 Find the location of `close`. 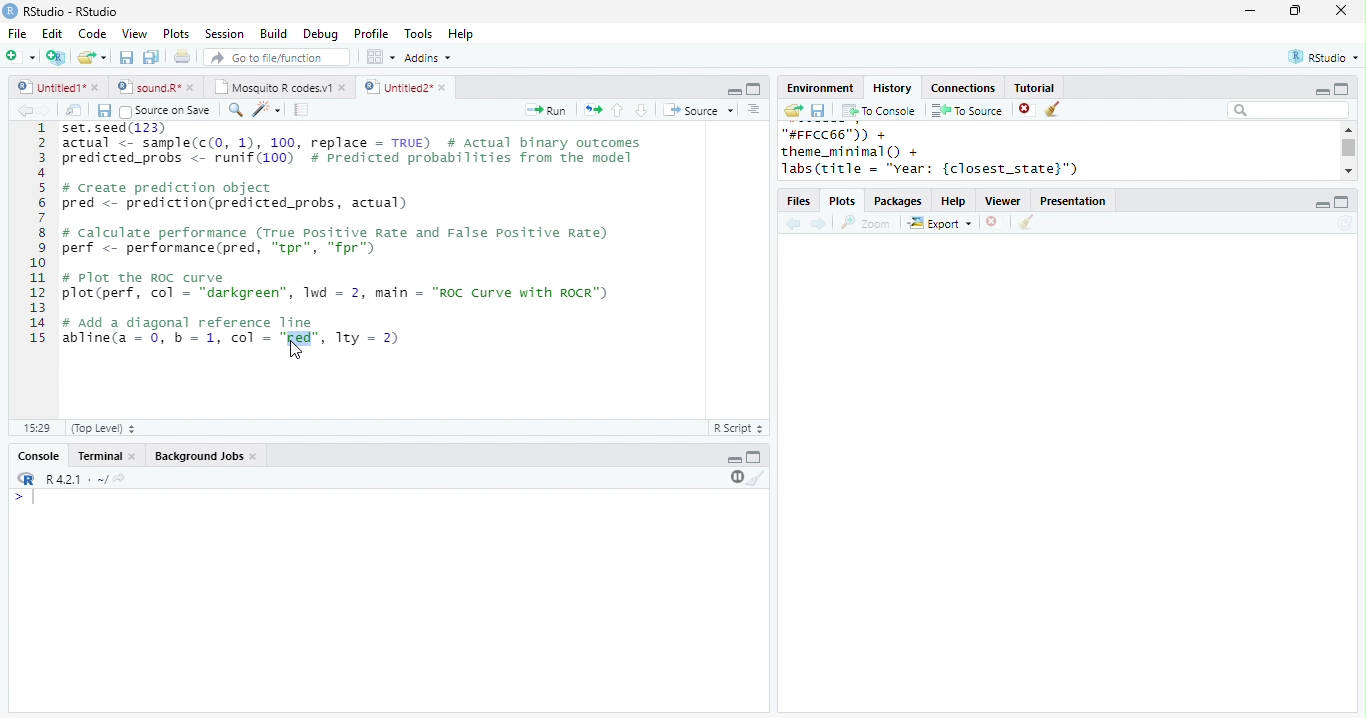

close is located at coordinates (445, 88).